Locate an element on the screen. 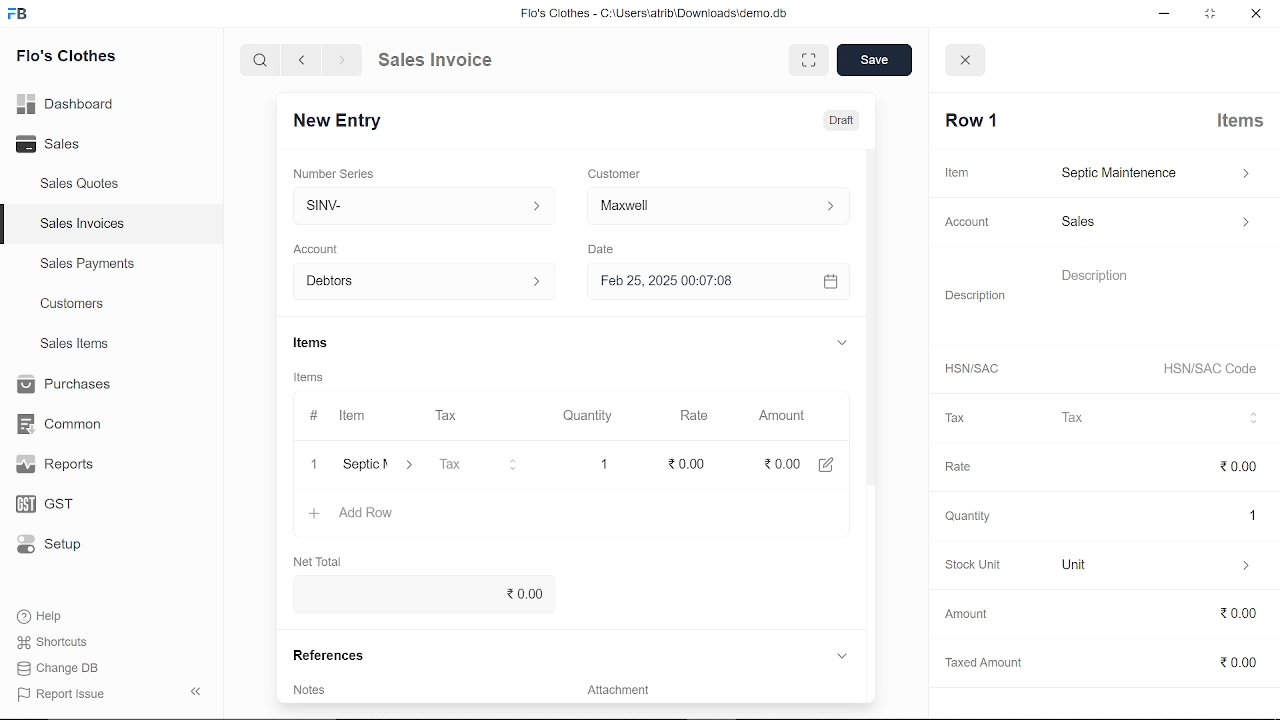 The height and width of the screenshot is (720, 1280). Add attachment is located at coordinates (715, 687).